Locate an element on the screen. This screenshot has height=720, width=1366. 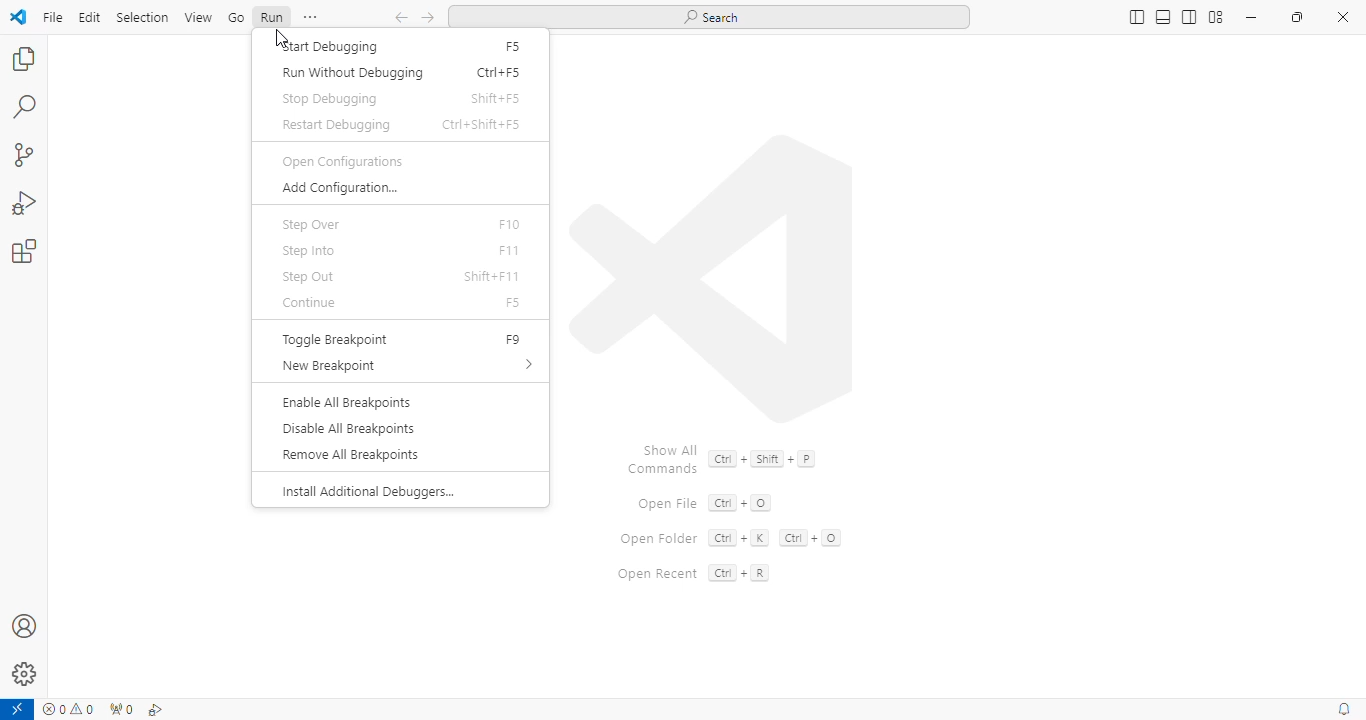
extensions is located at coordinates (25, 251).